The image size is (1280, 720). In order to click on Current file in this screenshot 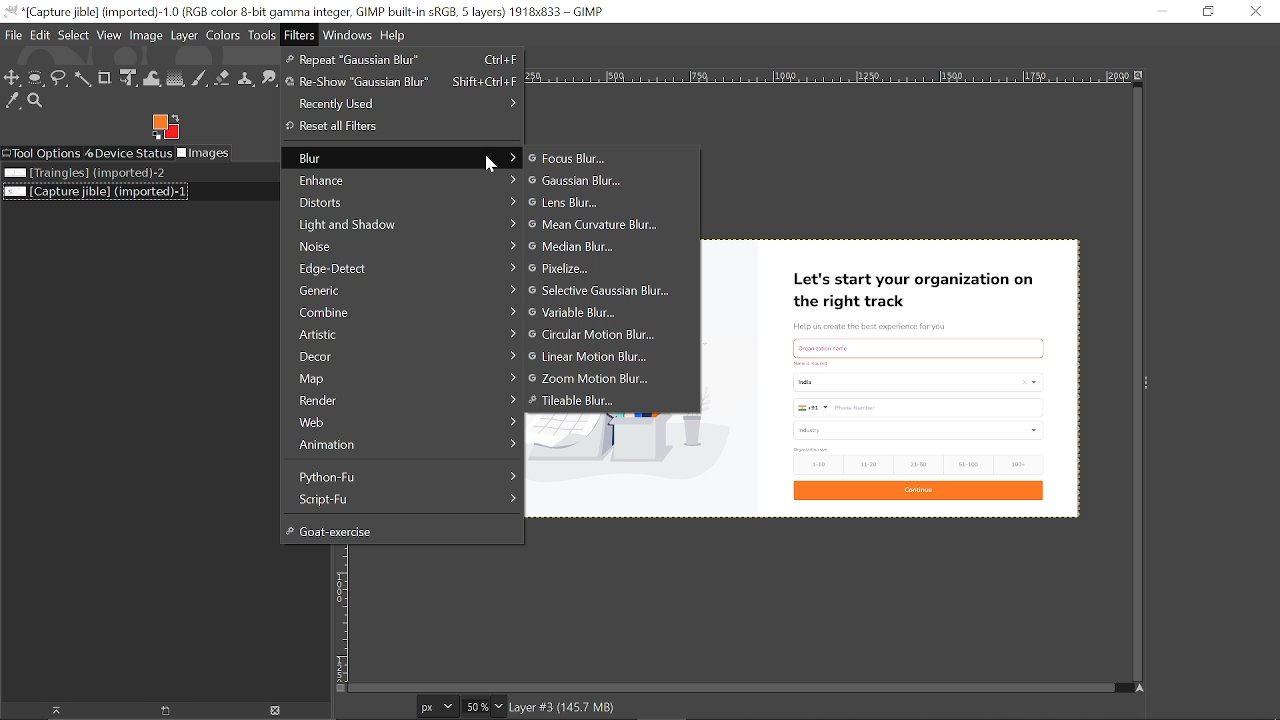, I will do `click(94, 191)`.